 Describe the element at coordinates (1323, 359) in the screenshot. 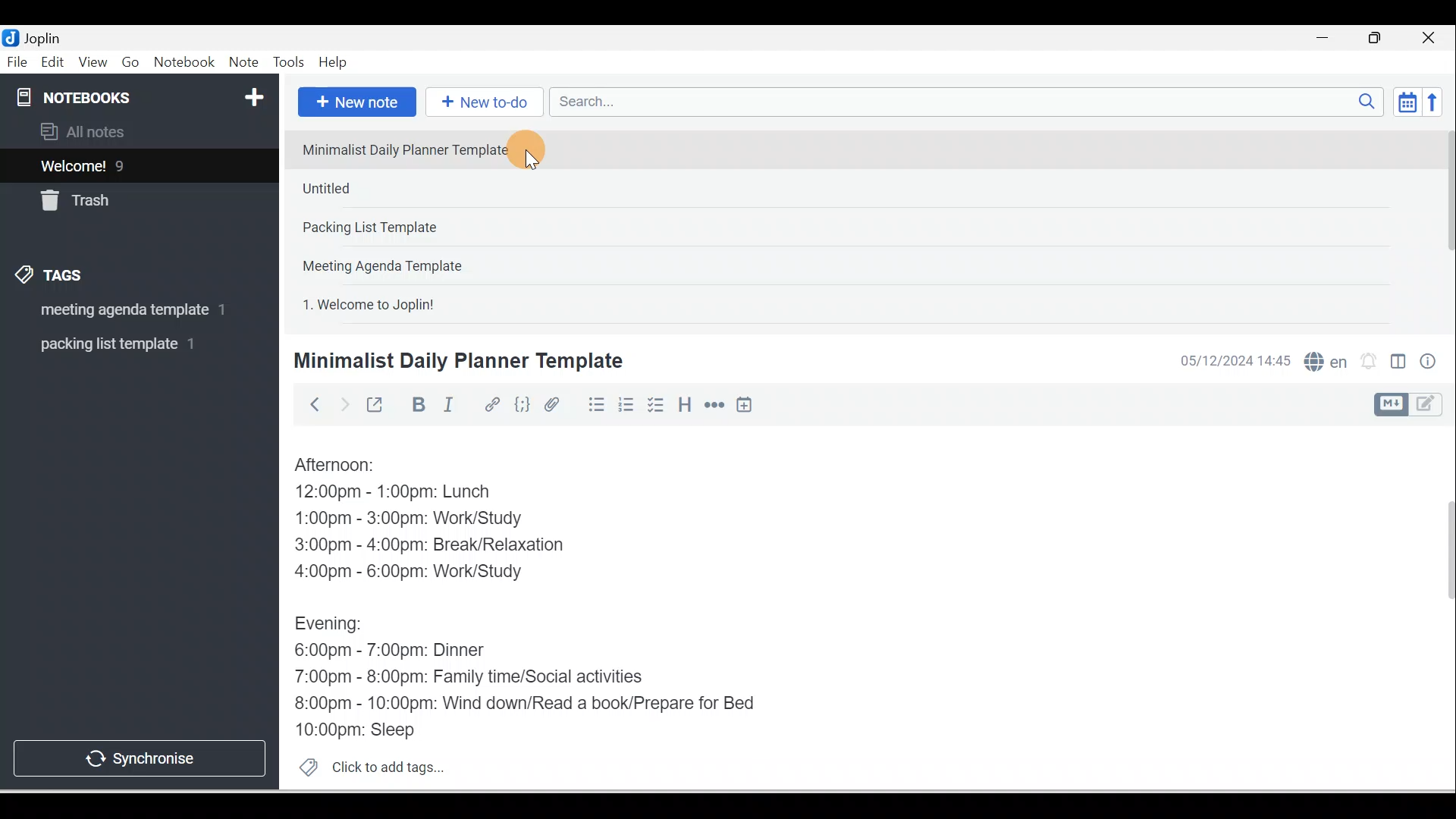

I see `Spelling` at that location.